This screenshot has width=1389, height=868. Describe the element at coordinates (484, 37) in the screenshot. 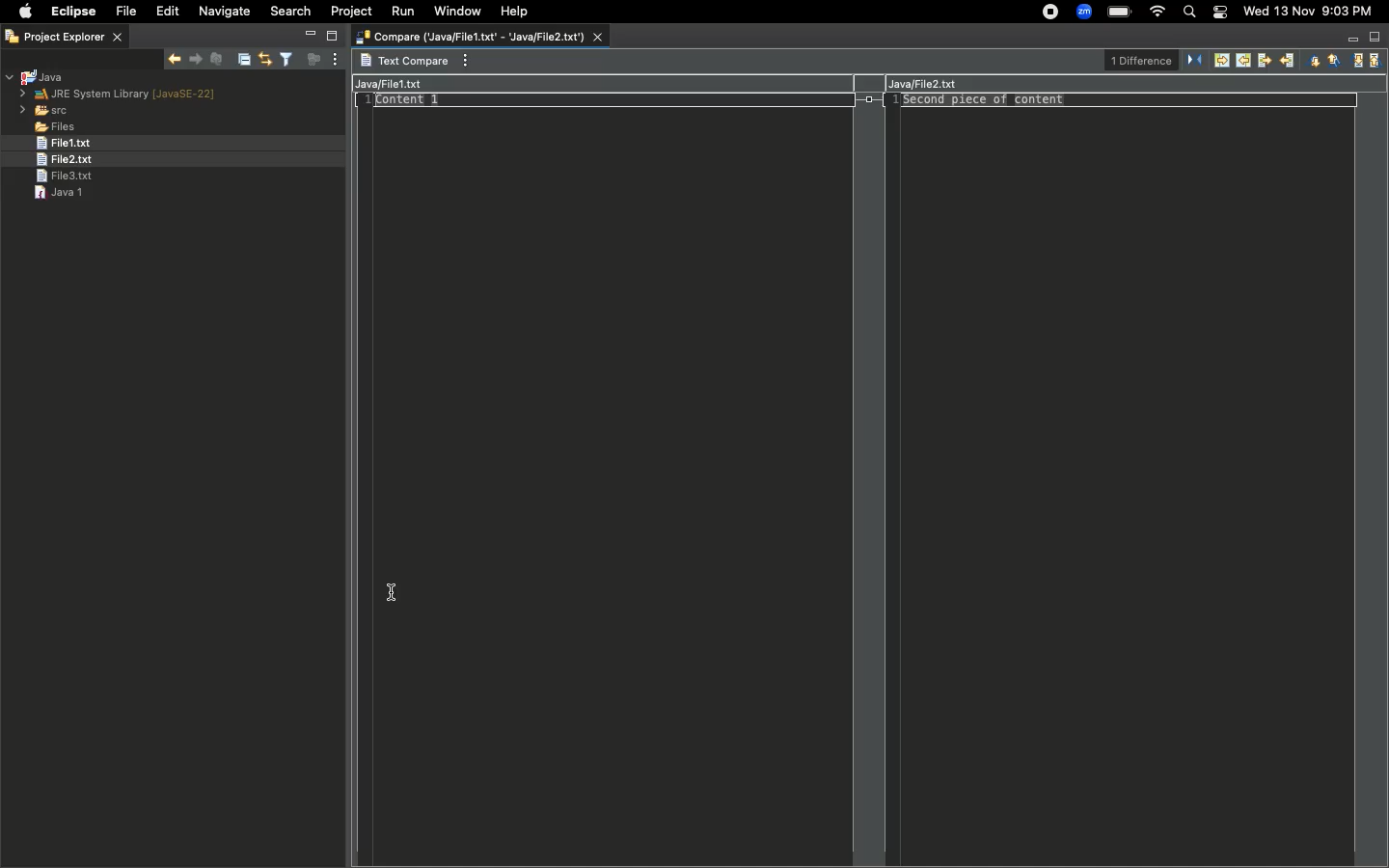

I see `Compare Java file 1 with java file 2` at that location.